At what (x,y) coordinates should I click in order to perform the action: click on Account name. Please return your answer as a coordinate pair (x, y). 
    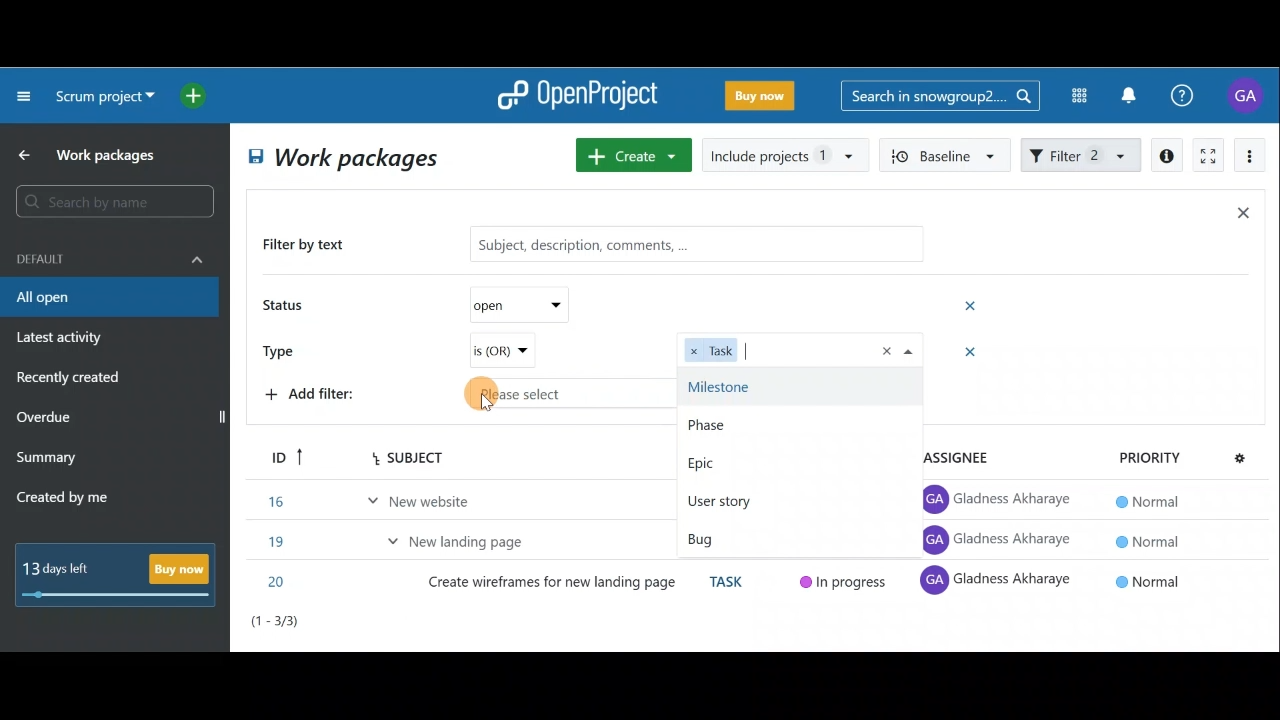
    Looking at the image, I should click on (1248, 95).